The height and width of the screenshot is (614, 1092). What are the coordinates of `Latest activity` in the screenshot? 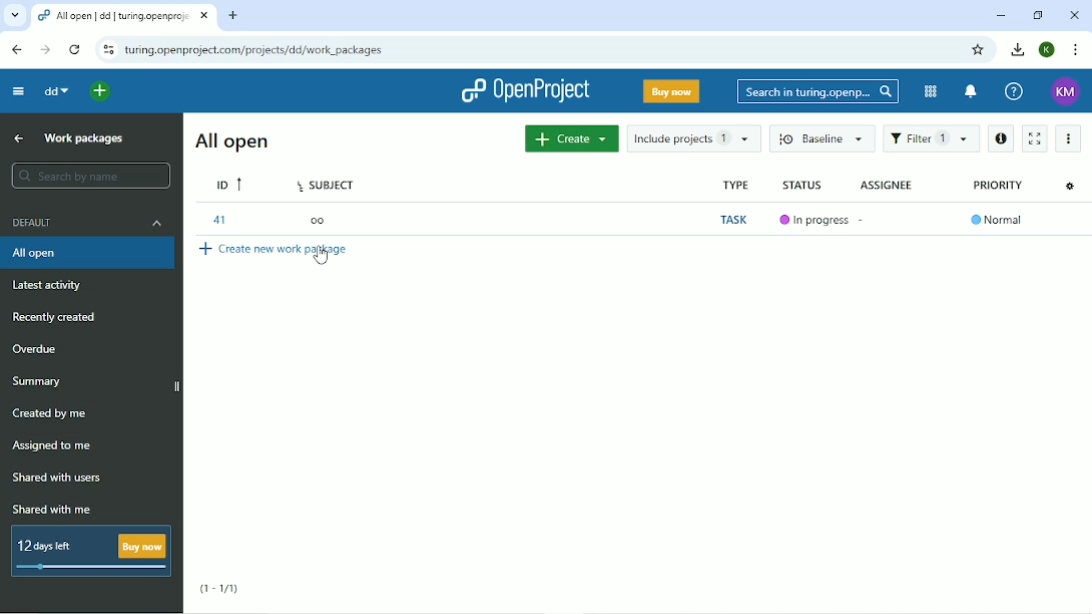 It's located at (53, 286).